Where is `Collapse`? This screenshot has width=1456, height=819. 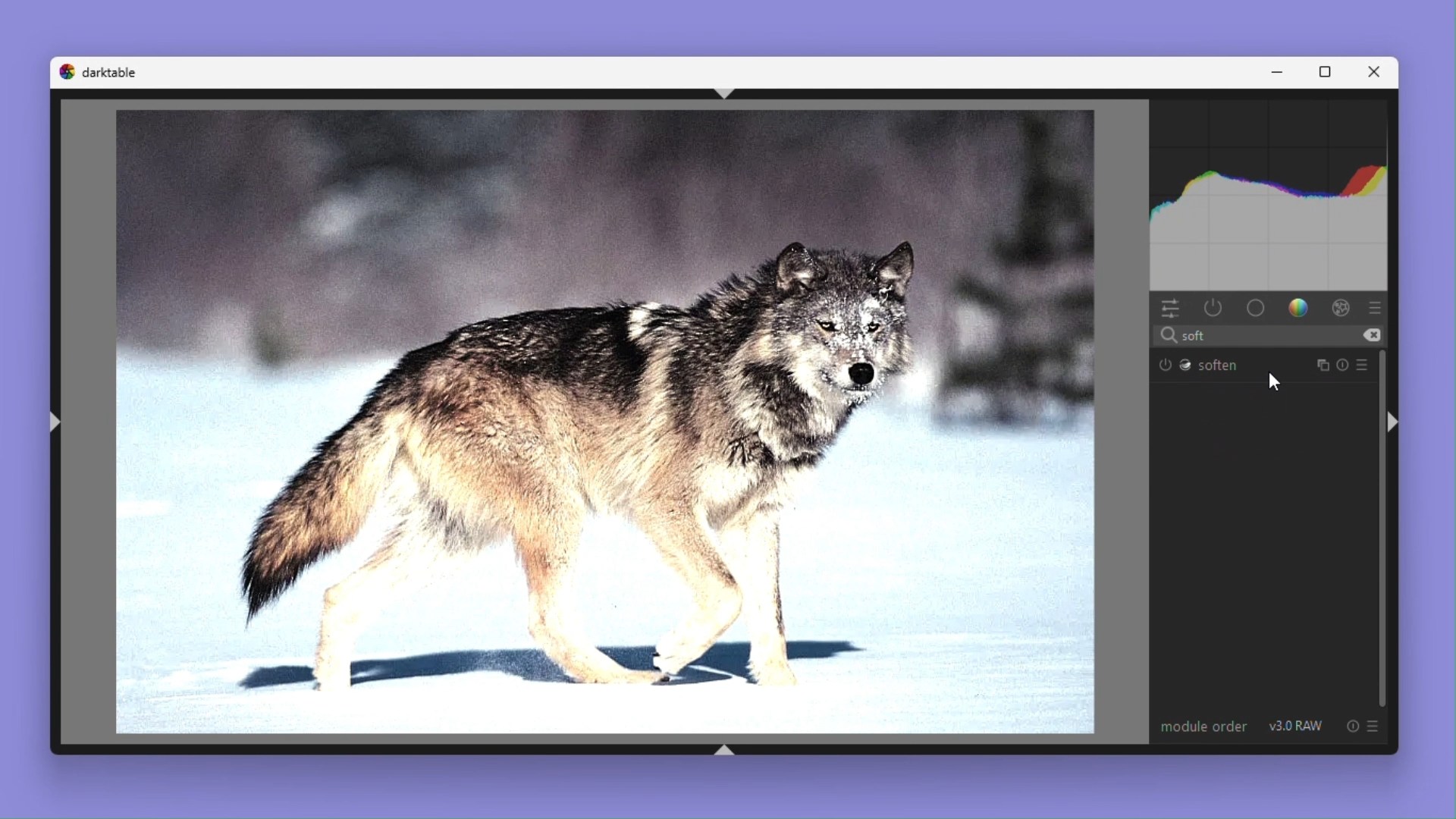 Collapse is located at coordinates (1394, 424).